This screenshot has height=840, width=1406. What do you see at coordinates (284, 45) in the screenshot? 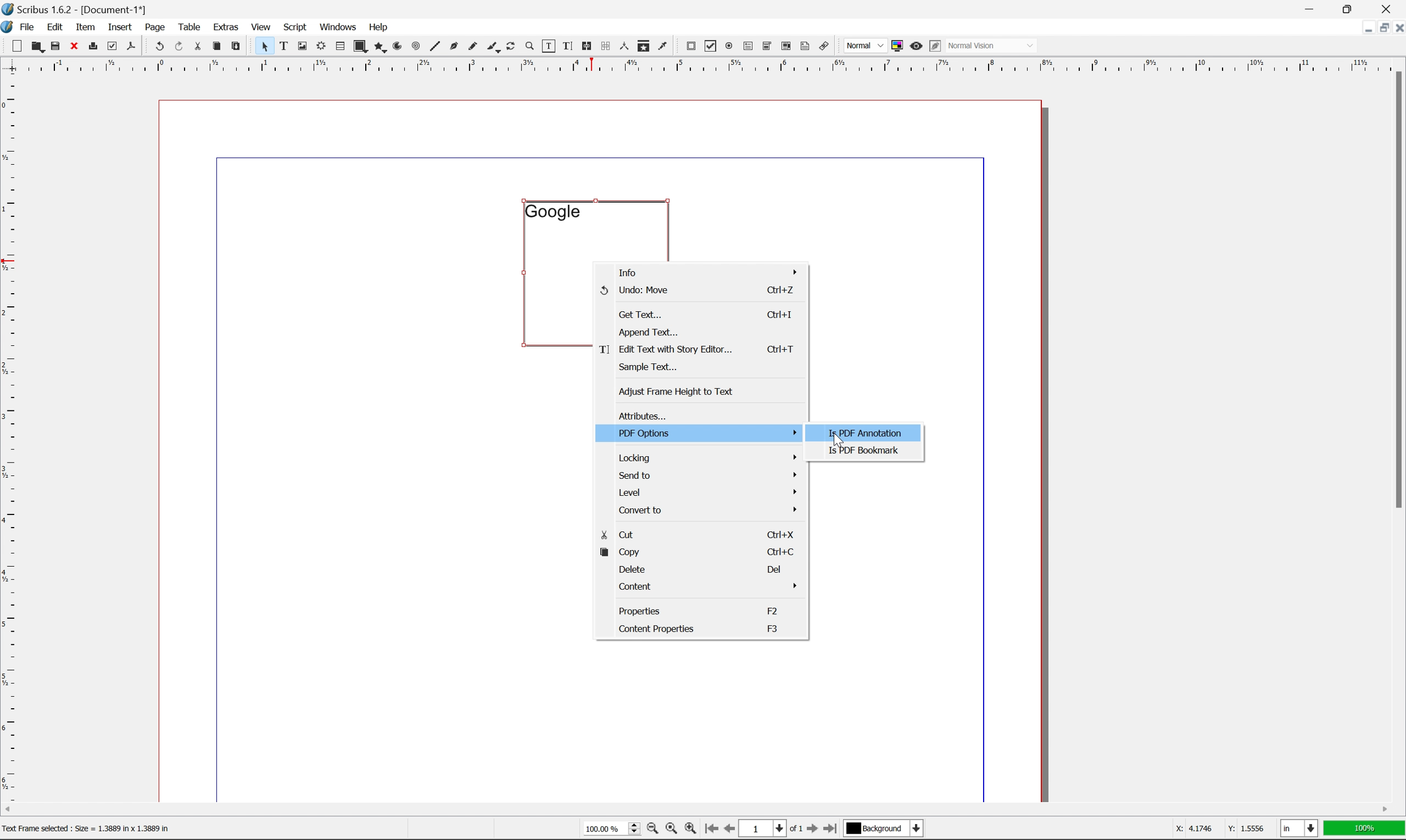
I see `text frame` at bounding box center [284, 45].